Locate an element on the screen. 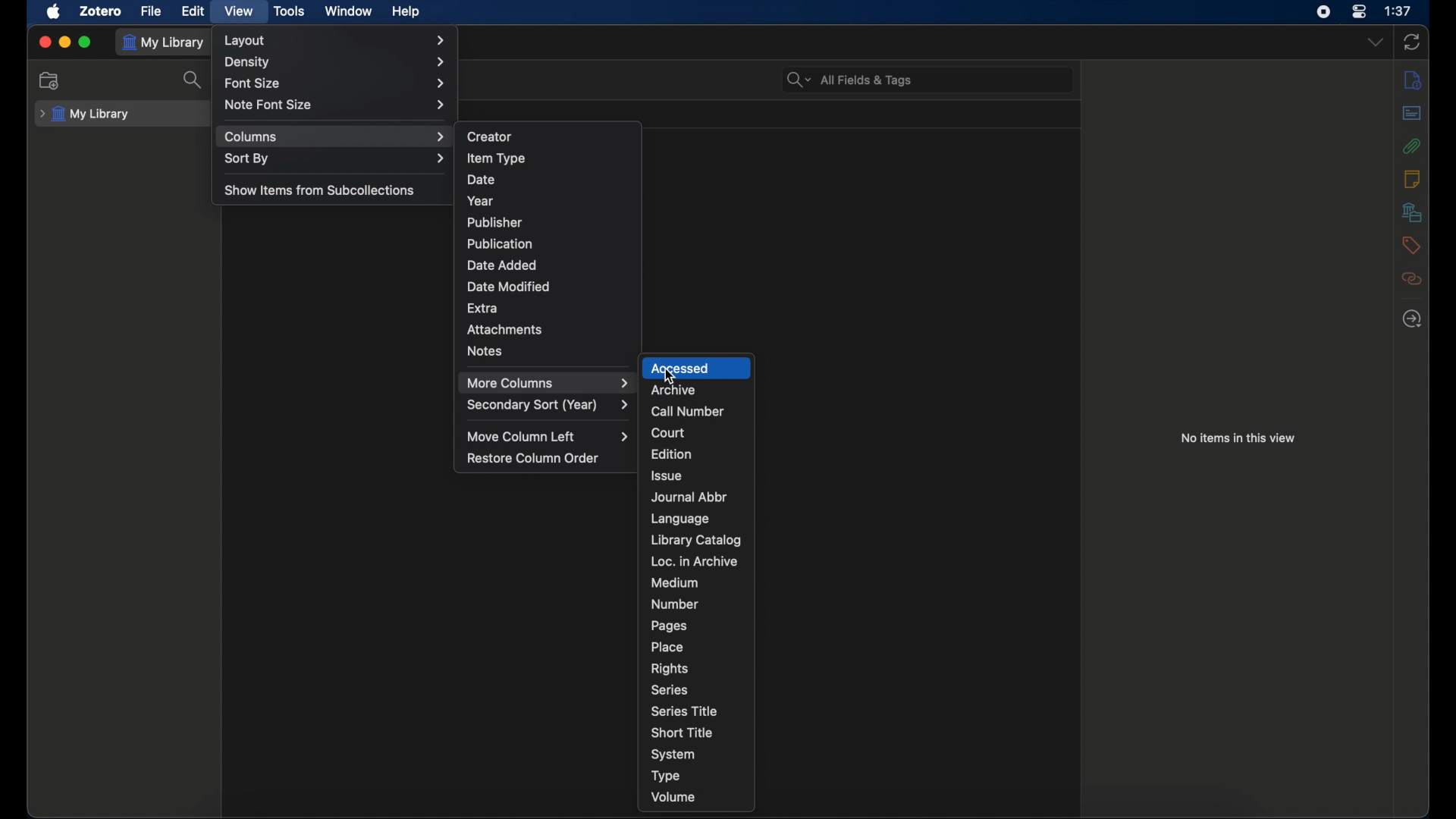  file is located at coordinates (151, 11).